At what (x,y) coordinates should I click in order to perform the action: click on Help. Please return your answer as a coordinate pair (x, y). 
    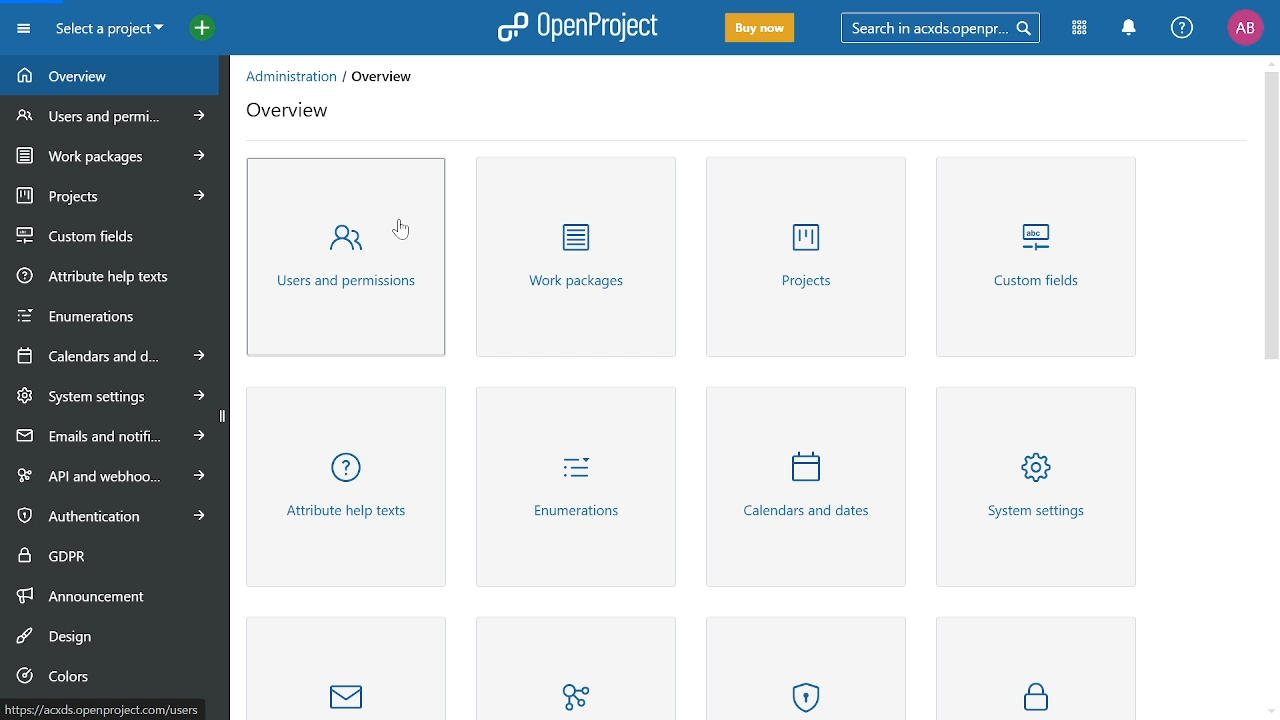
    Looking at the image, I should click on (1183, 29).